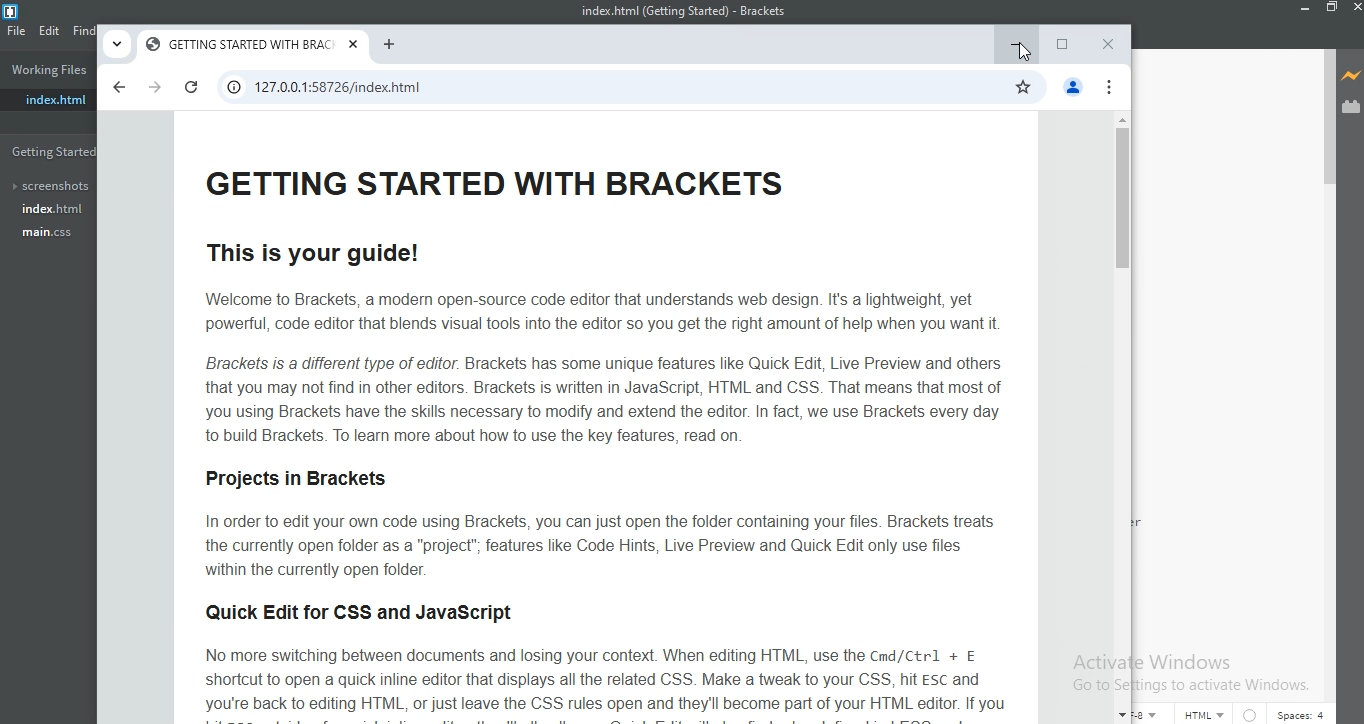 The height and width of the screenshot is (724, 1364). What do you see at coordinates (116, 44) in the screenshot?
I see `tabs` at bounding box center [116, 44].